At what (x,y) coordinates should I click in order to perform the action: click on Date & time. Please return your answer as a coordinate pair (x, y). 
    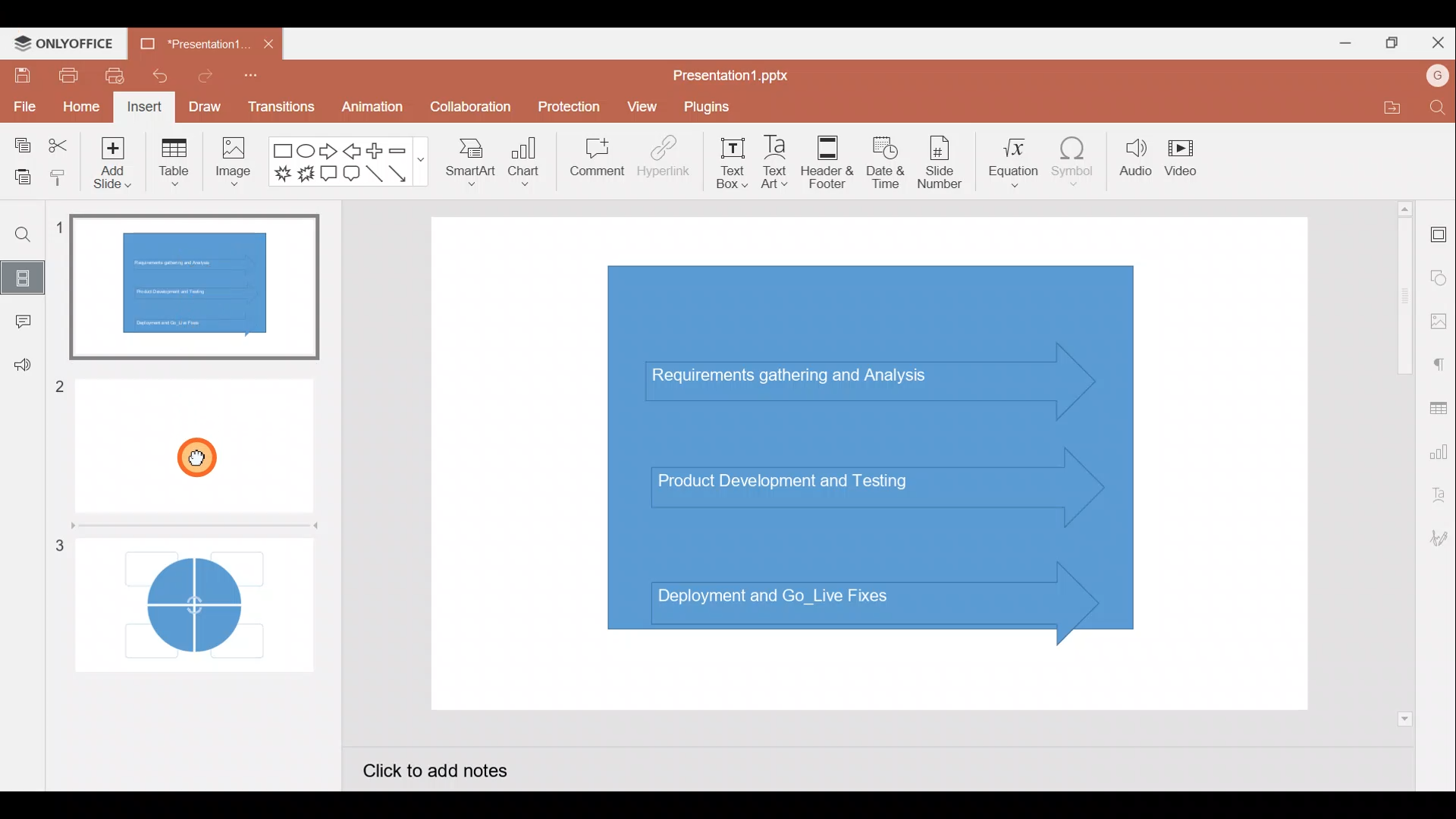
    Looking at the image, I should click on (889, 162).